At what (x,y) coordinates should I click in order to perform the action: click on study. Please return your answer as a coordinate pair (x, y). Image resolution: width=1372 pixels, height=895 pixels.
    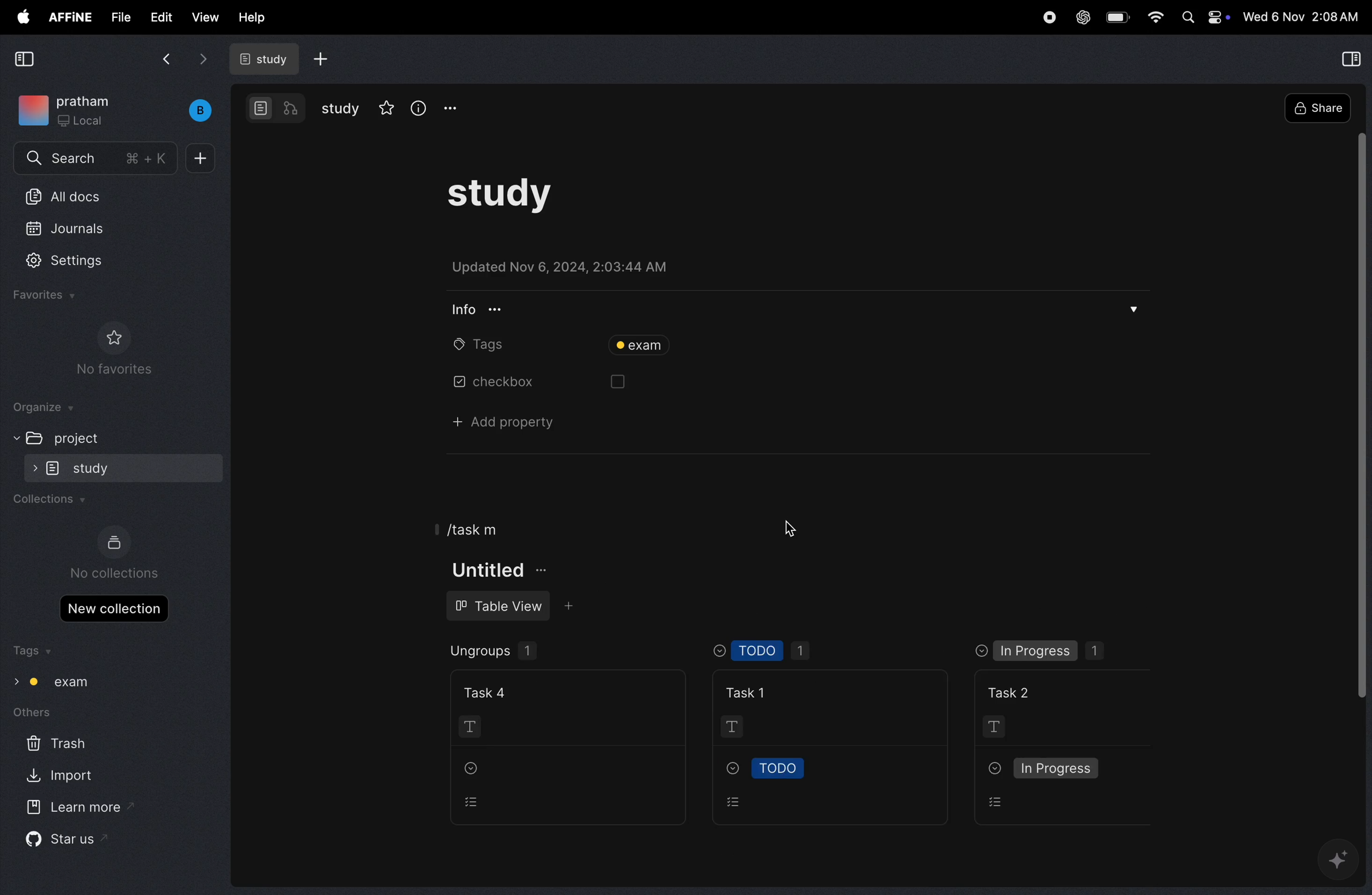
    Looking at the image, I should click on (338, 110).